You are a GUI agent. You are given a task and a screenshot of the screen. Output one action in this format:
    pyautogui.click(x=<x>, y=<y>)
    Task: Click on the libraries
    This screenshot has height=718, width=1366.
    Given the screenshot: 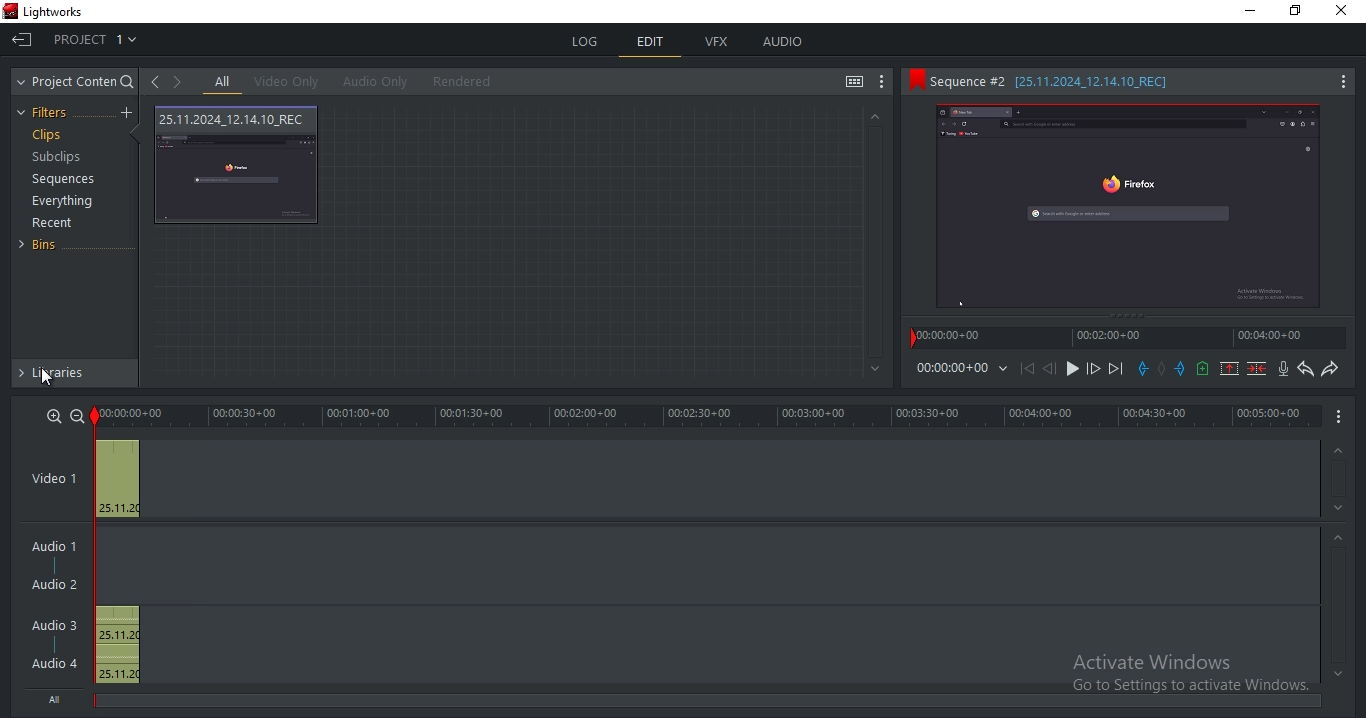 What is the action you would take?
    pyautogui.click(x=78, y=373)
    